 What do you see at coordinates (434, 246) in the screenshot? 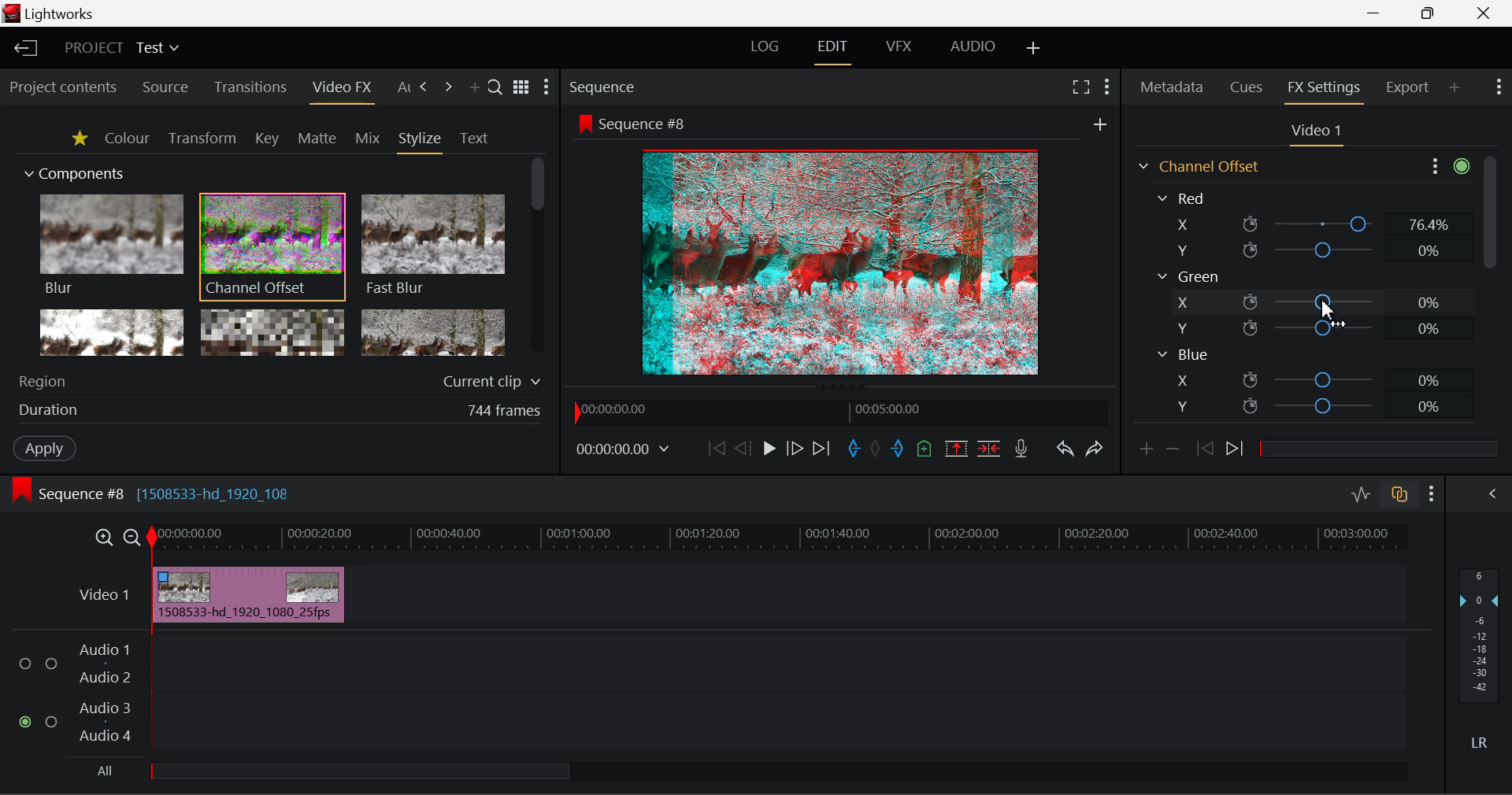
I see `Fast Blur` at bounding box center [434, 246].